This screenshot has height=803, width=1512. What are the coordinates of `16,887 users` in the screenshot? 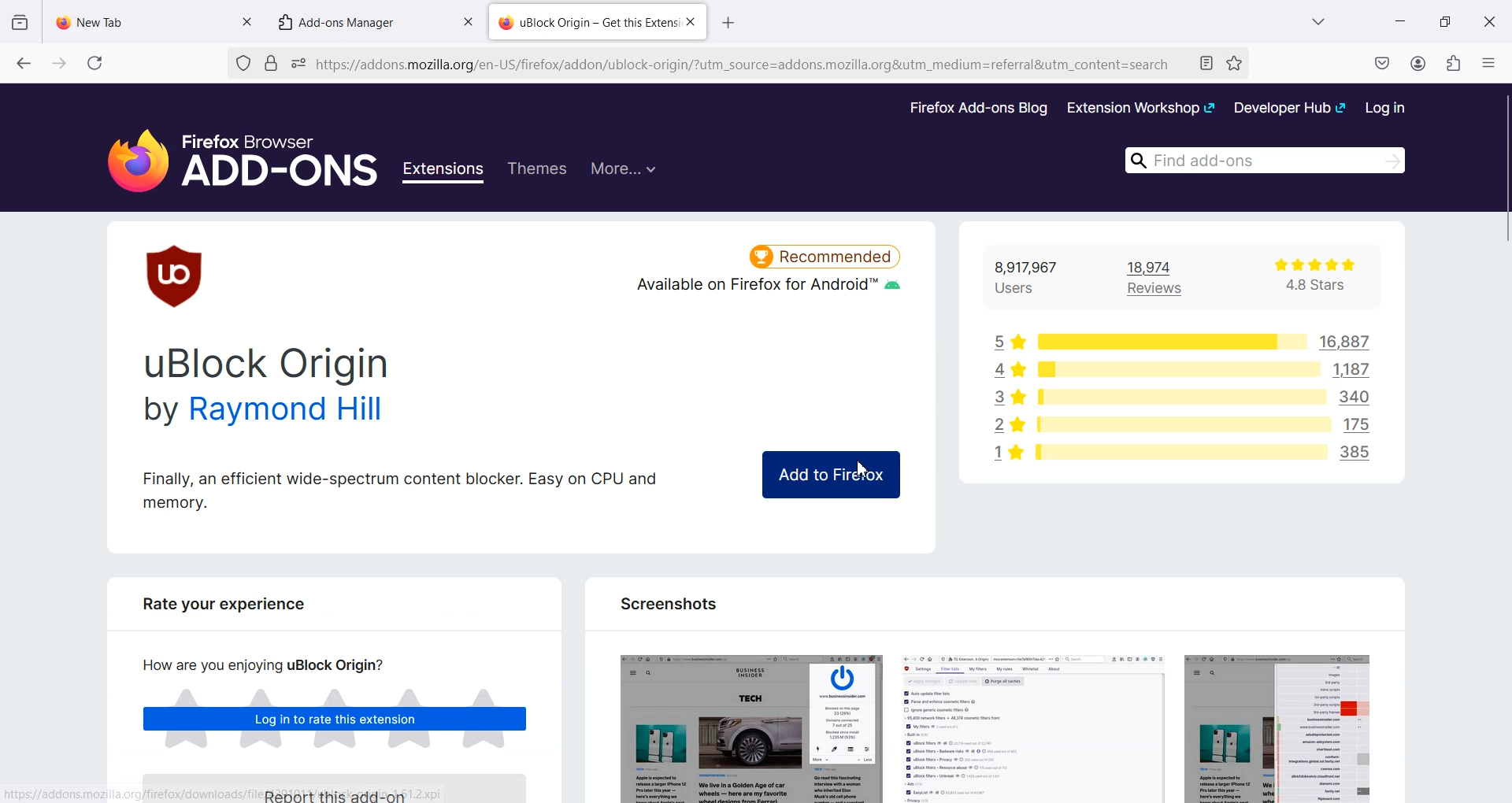 It's located at (1336, 342).